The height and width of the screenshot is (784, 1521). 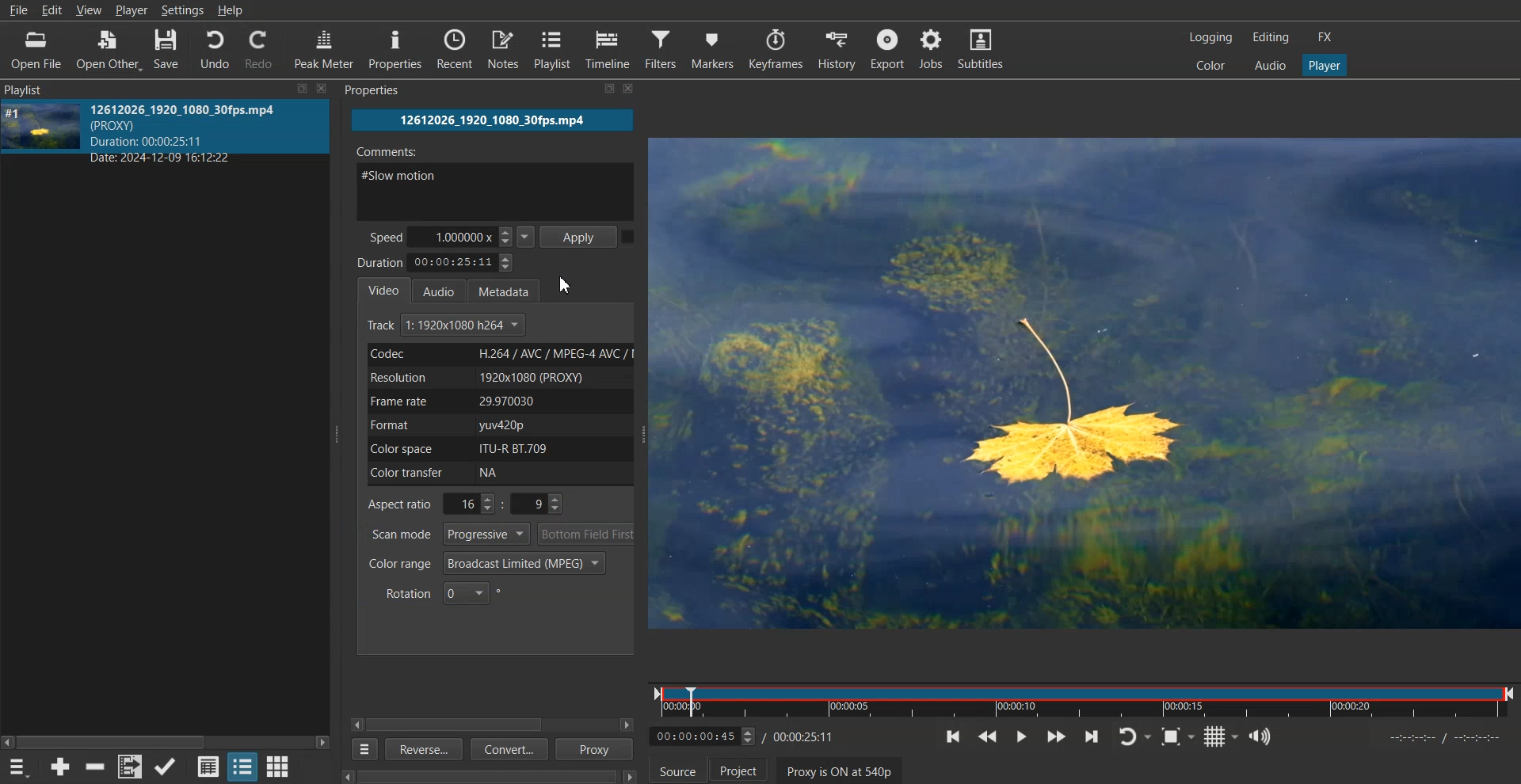 I want to click on scrollbar, so click(x=480, y=774).